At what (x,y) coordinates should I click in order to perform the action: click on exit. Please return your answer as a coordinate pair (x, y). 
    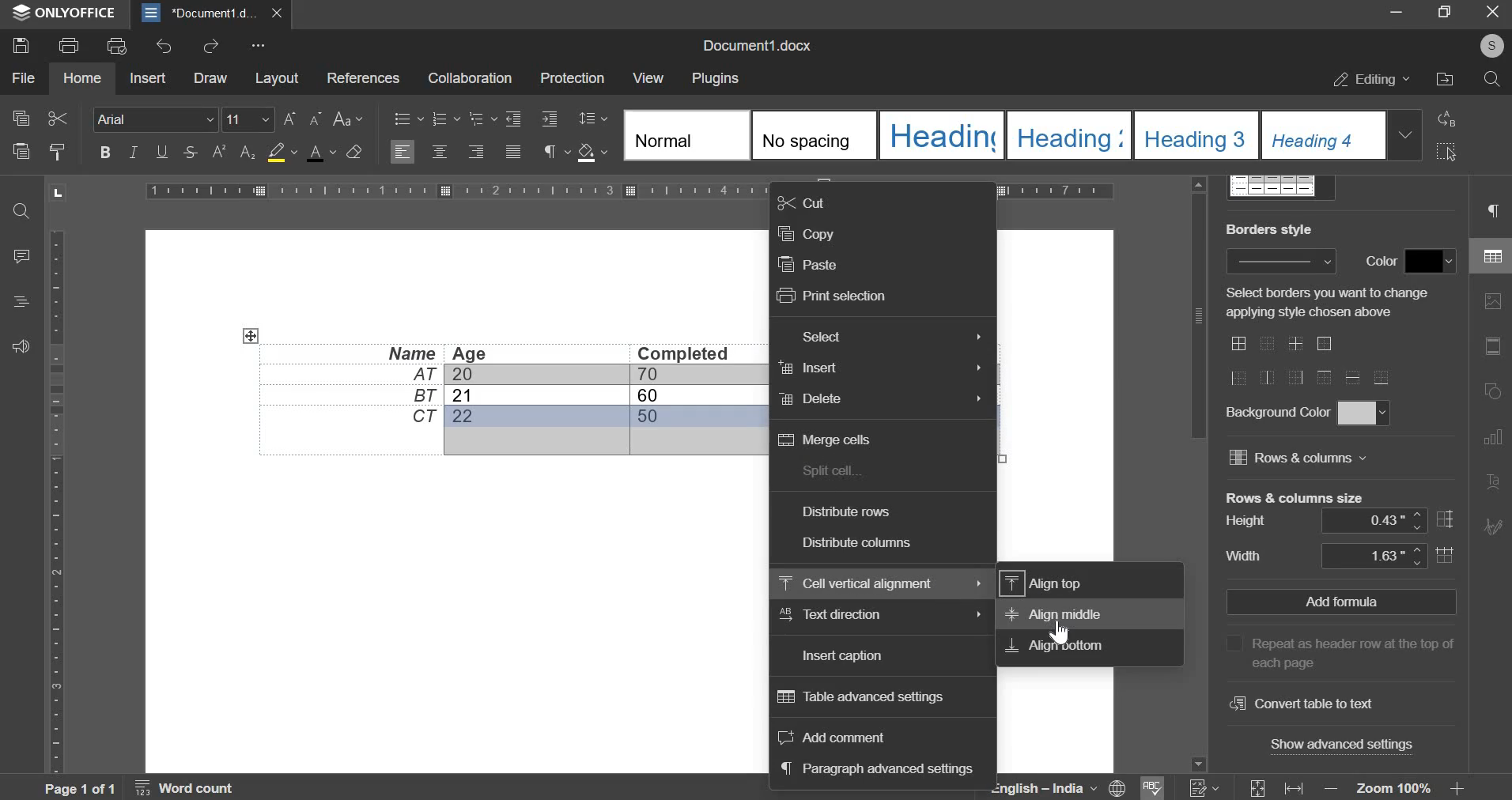
    Looking at the image, I should click on (1494, 11).